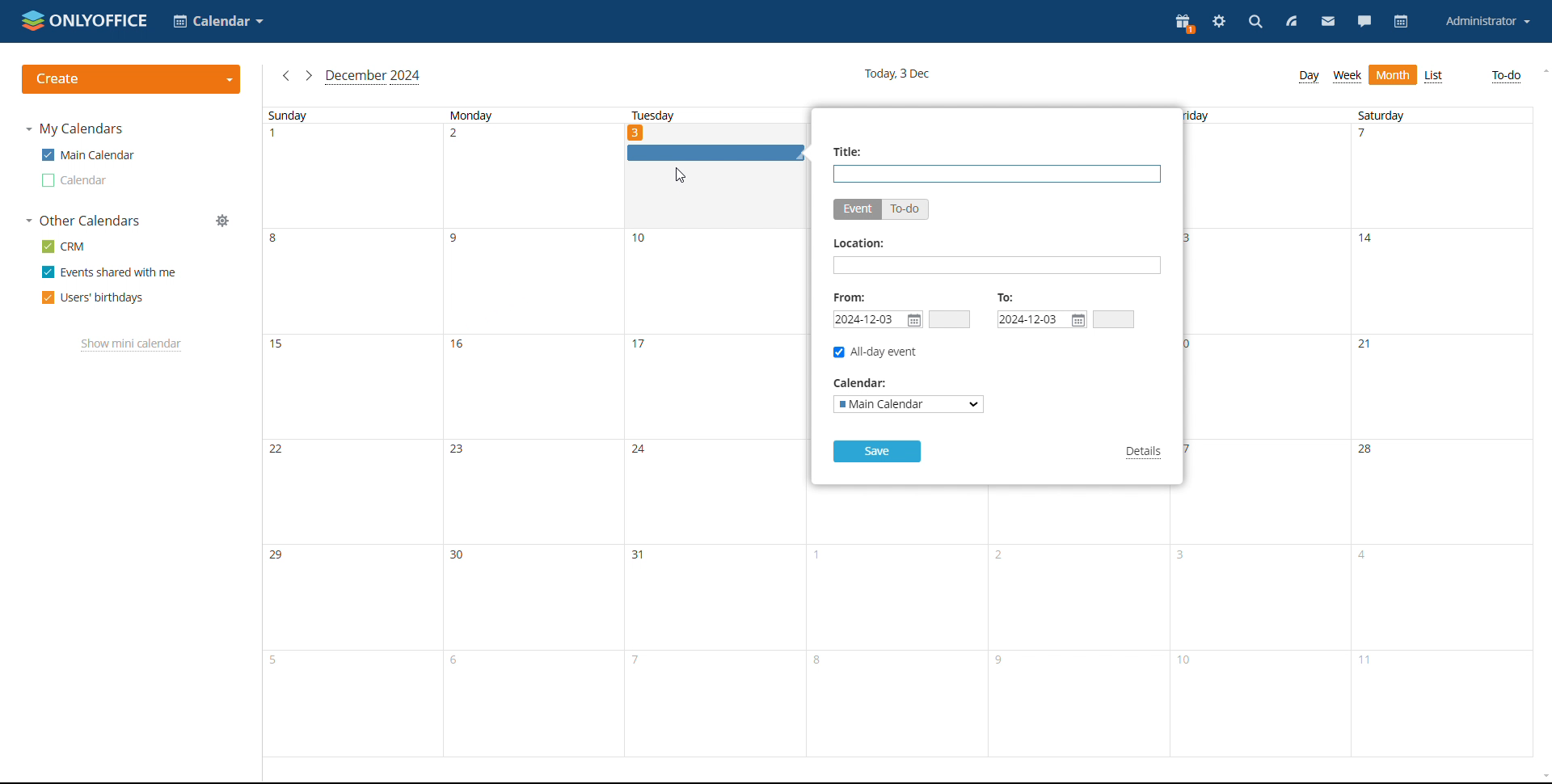 This screenshot has height=784, width=1552. I want to click on select calendar, so click(909, 404).